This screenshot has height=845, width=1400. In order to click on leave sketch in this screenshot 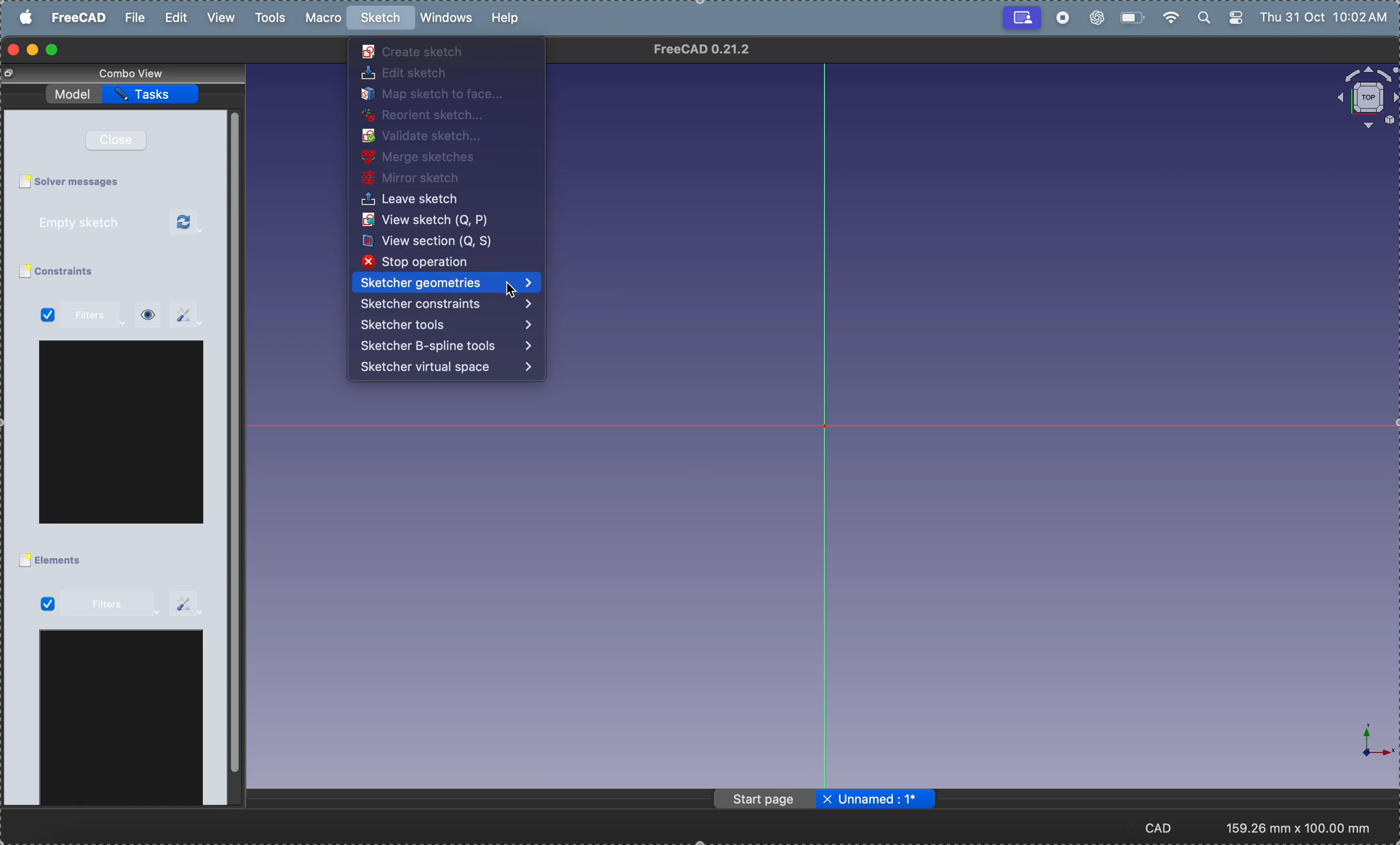, I will do `click(435, 200)`.